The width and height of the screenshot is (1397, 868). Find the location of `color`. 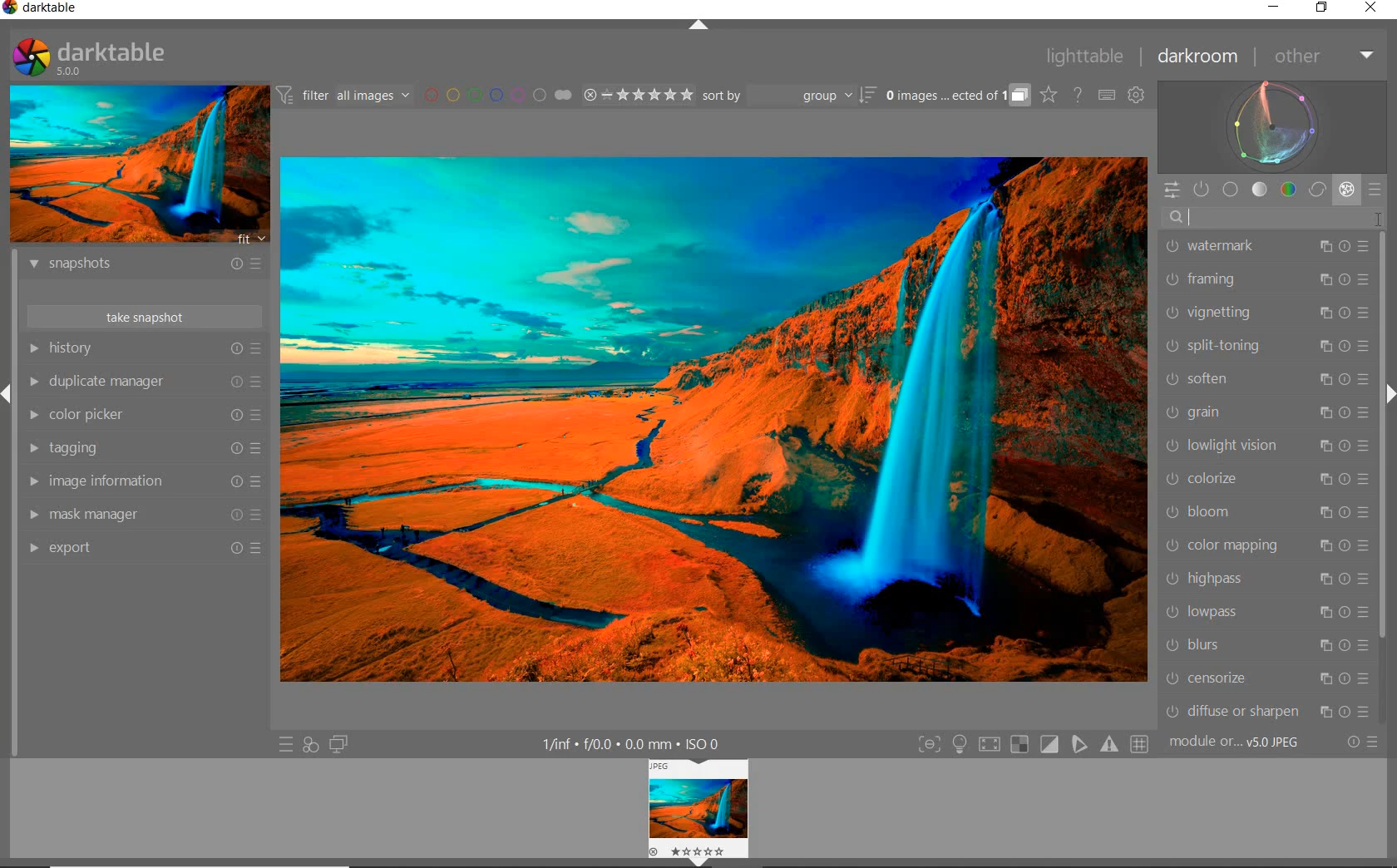

color is located at coordinates (1287, 190).